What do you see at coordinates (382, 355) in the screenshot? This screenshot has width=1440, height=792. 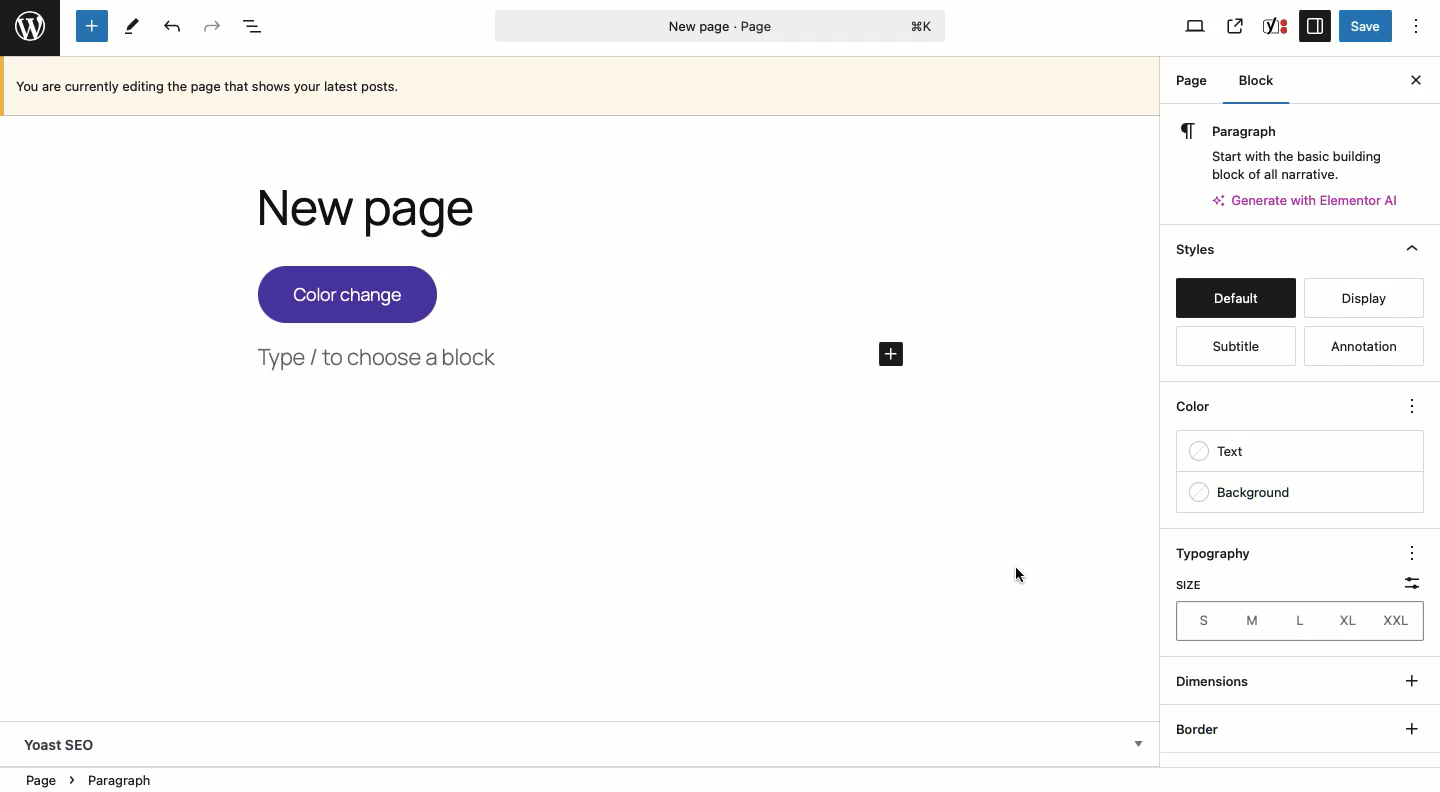 I see `Type, choose a block` at bounding box center [382, 355].